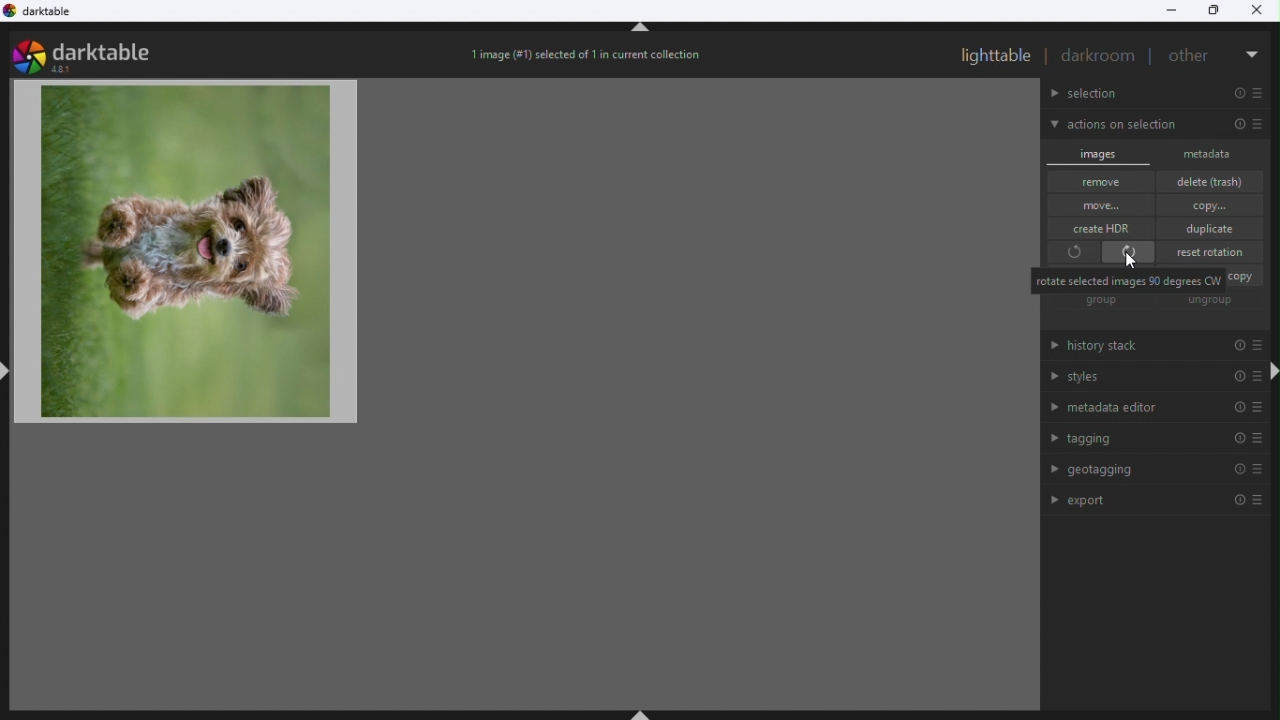 The width and height of the screenshot is (1280, 720). What do you see at coordinates (1152, 407) in the screenshot?
I see `Metadata editor` at bounding box center [1152, 407].